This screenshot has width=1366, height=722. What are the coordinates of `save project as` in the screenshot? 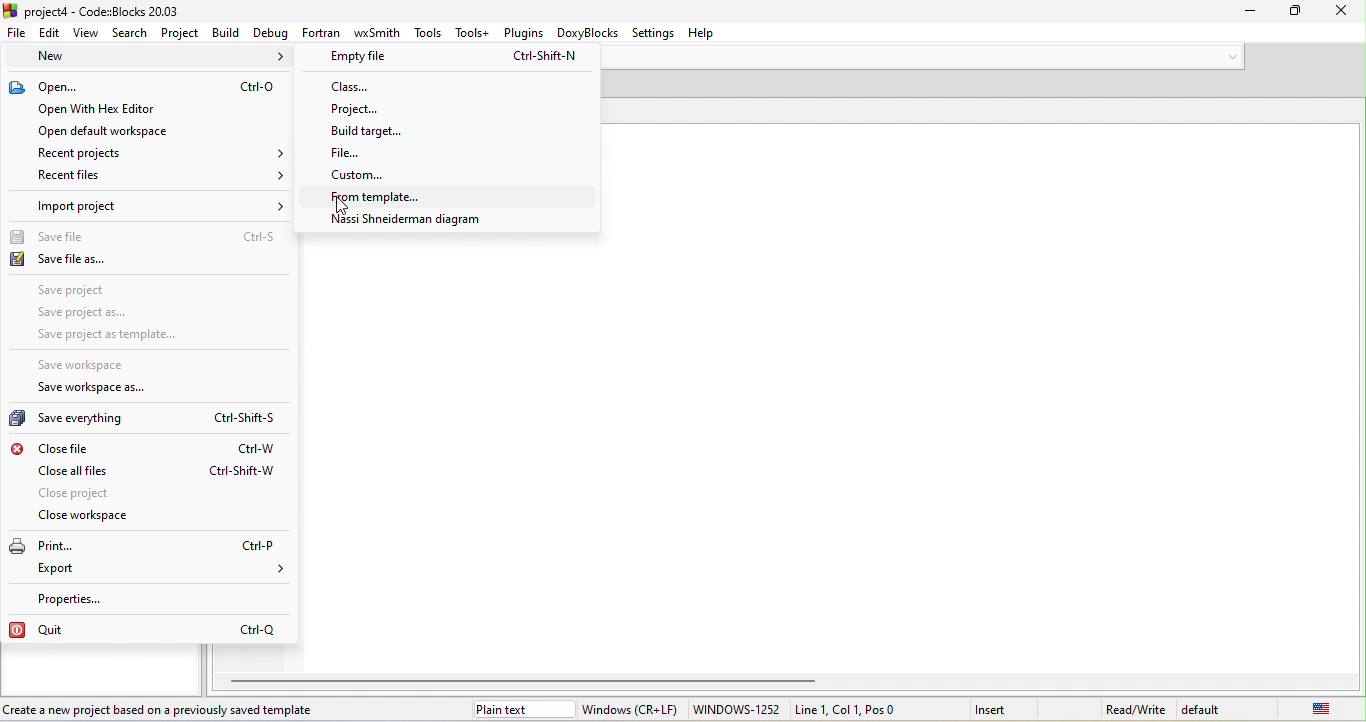 It's located at (98, 312).